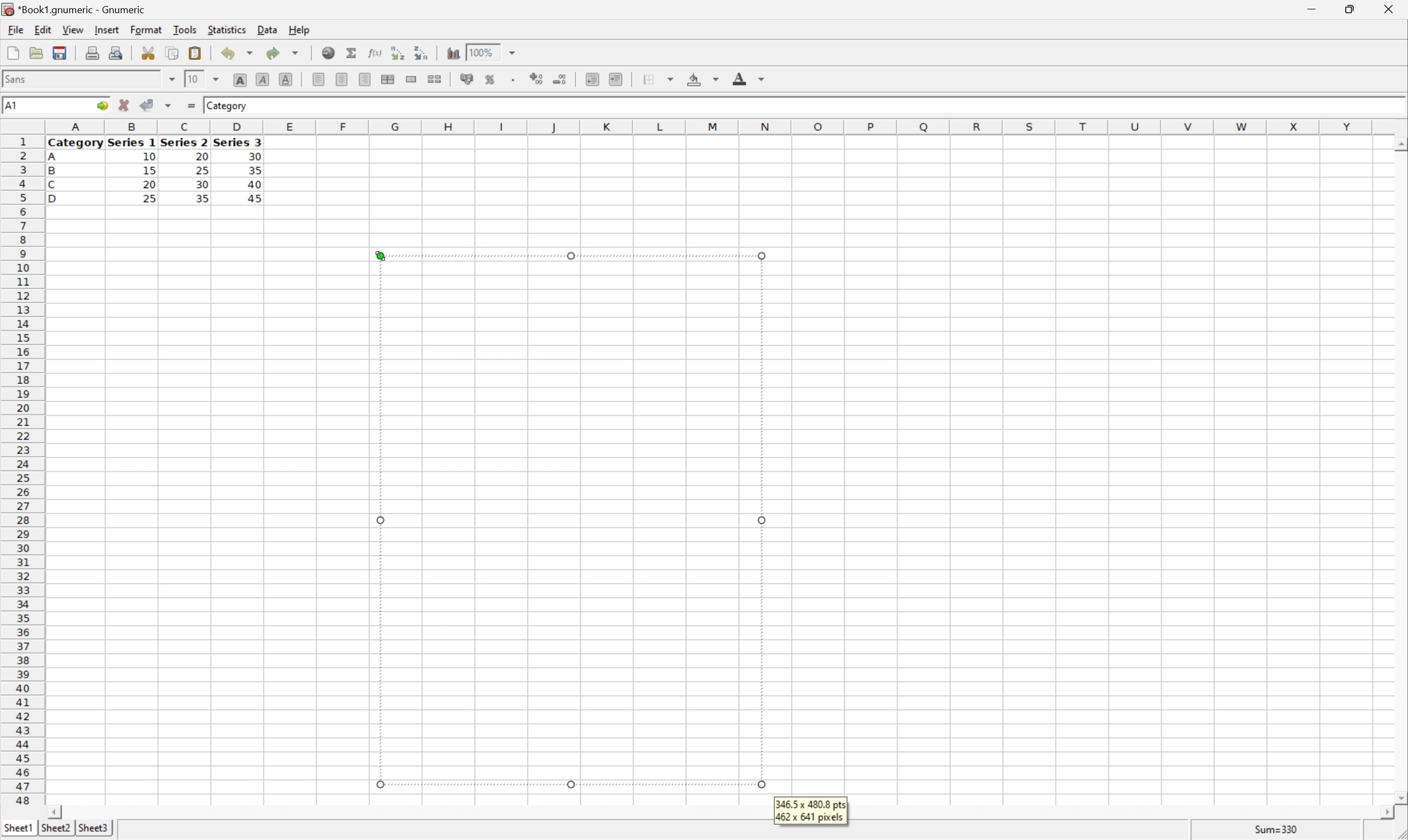 The width and height of the screenshot is (1408, 840). What do you see at coordinates (701, 78) in the screenshot?
I see `Background` at bounding box center [701, 78].